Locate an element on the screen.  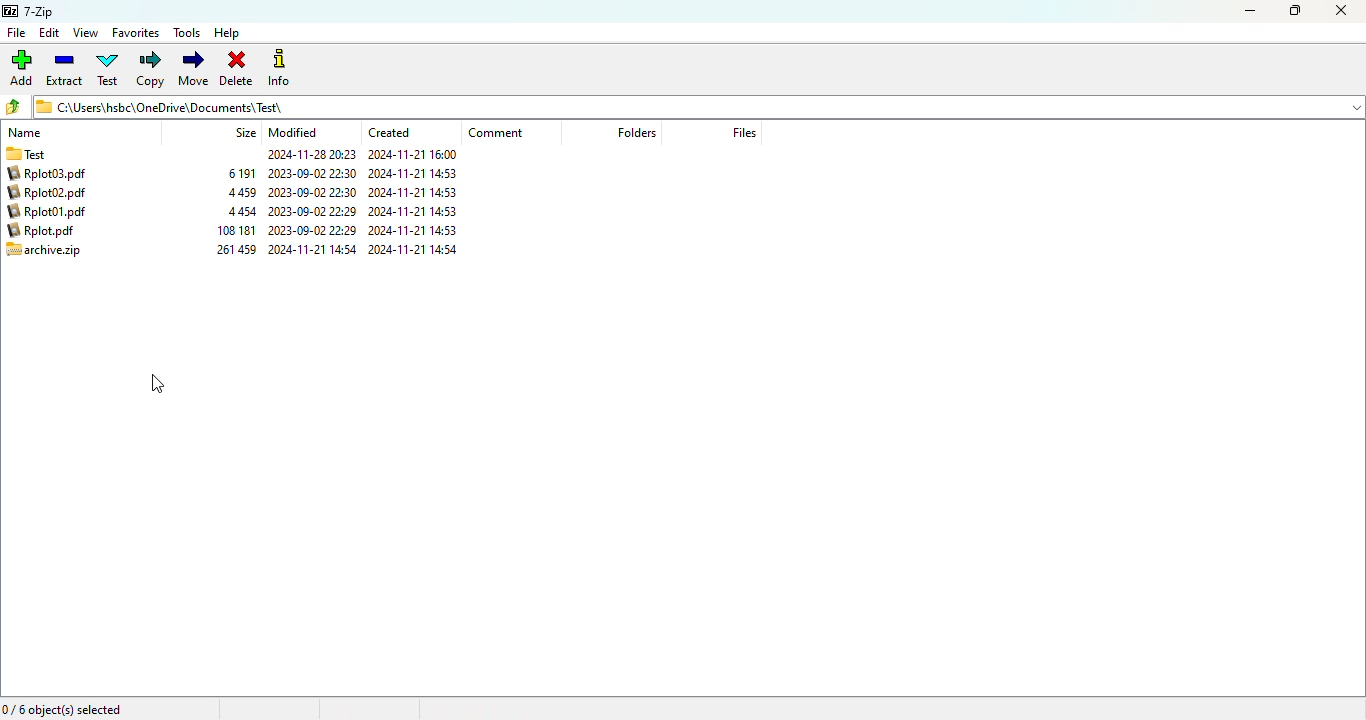
size is located at coordinates (245, 132).